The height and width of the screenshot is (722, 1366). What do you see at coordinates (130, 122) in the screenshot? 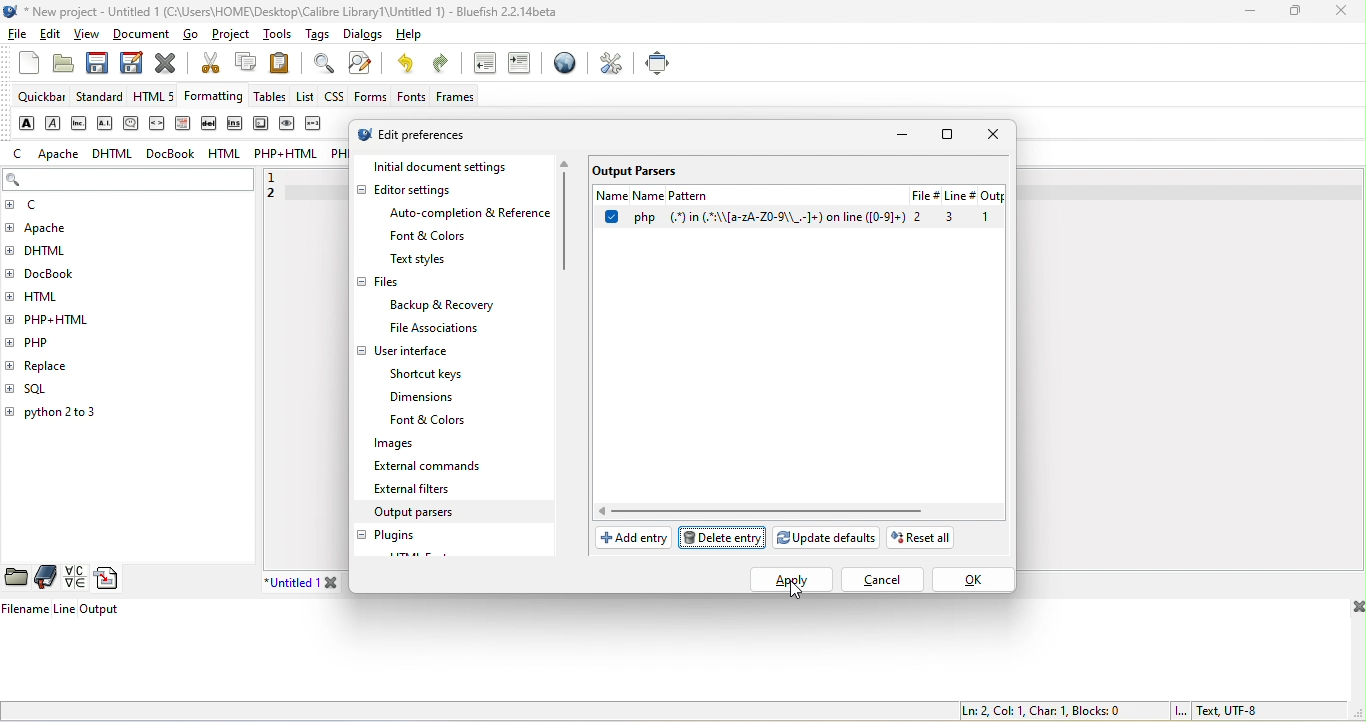
I see `citation` at bounding box center [130, 122].